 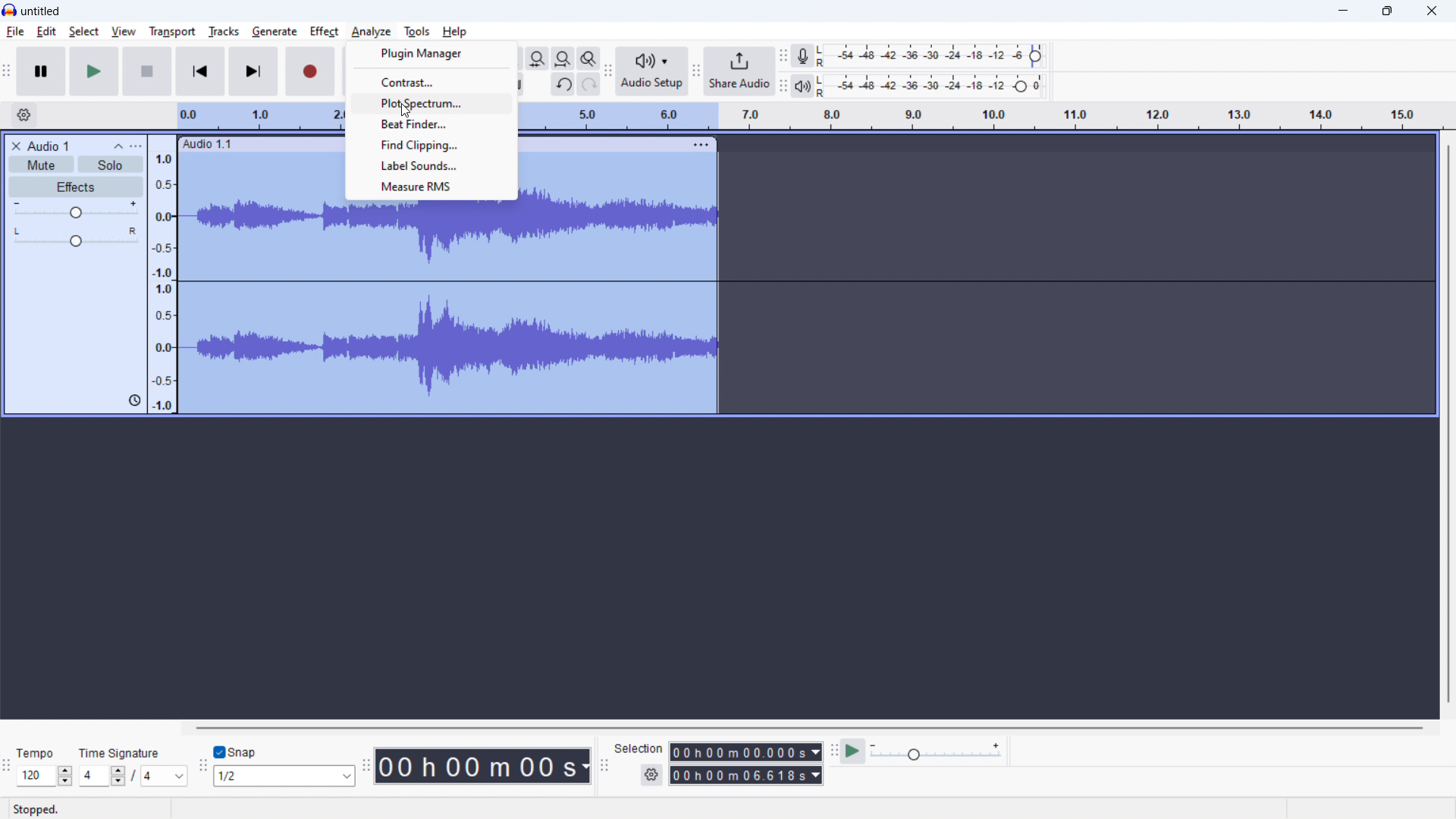 What do you see at coordinates (111, 165) in the screenshot?
I see `solo` at bounding box center [111, 165].